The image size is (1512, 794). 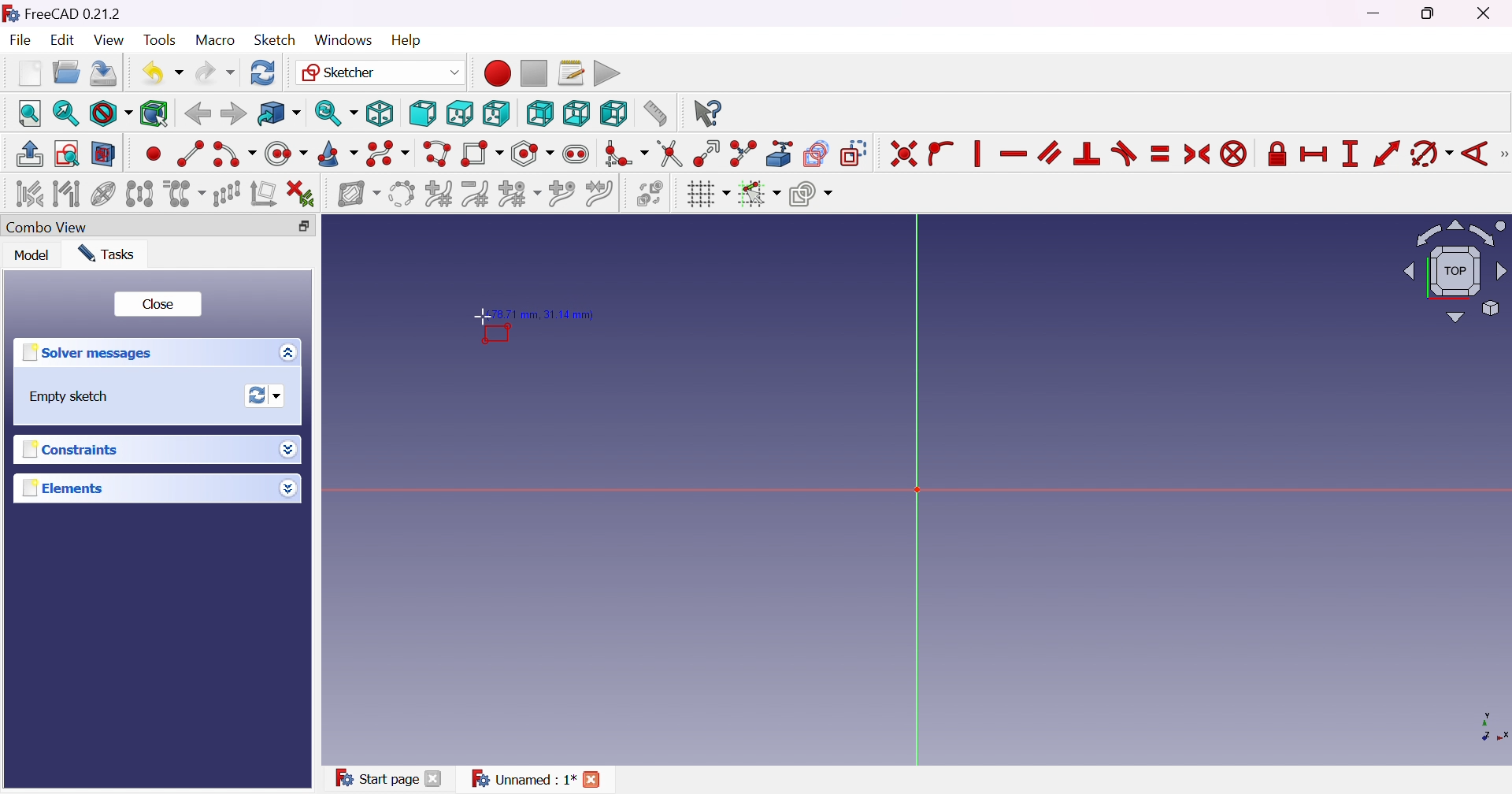 What do you see at coordinates (1051, 153) in the screenshot?
I see `Constrain parallel` at bounding box center [1051, 153].